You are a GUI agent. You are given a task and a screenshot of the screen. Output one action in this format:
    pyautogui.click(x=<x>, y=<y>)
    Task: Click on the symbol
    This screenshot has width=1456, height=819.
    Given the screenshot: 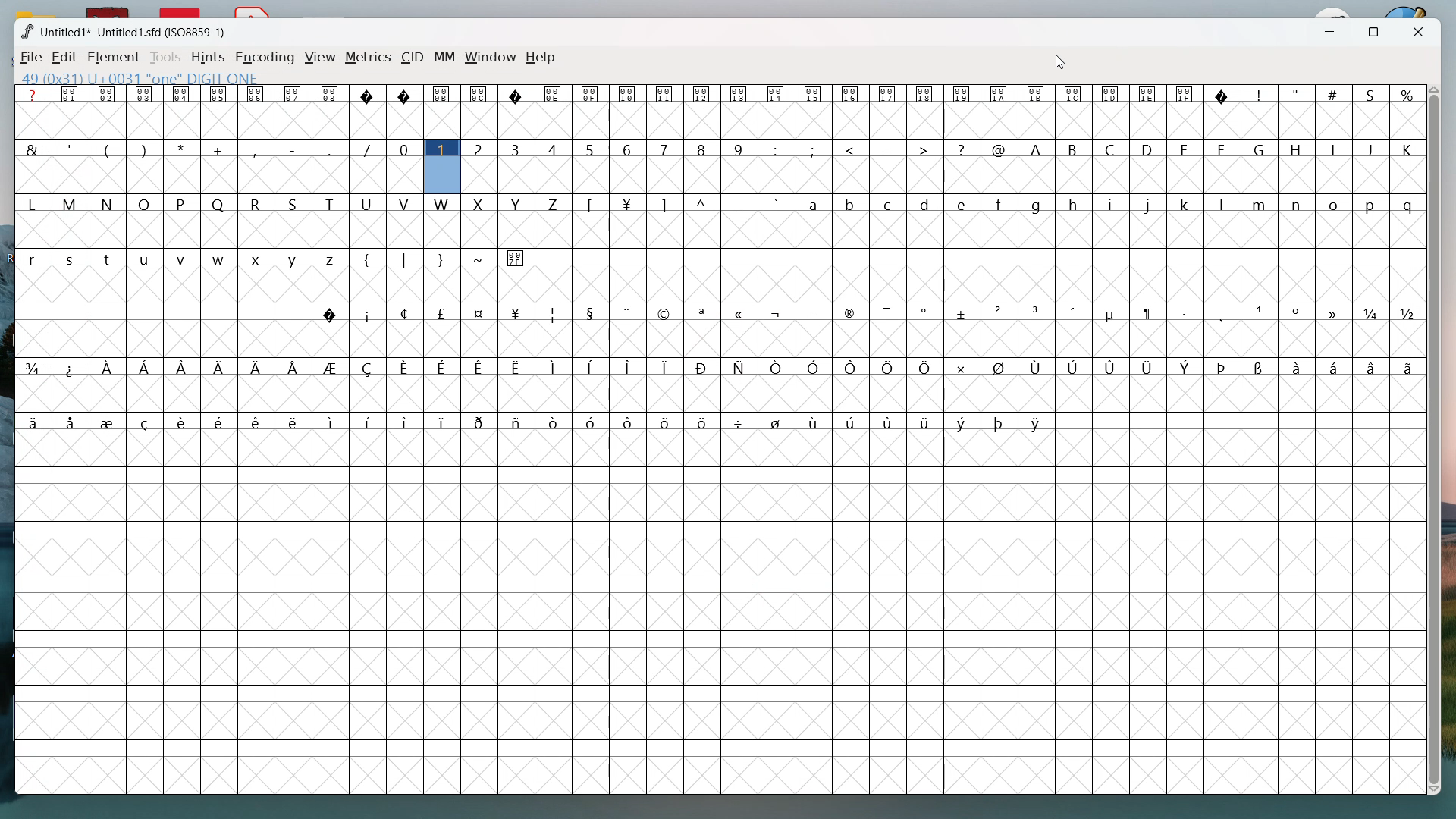 What is the action you would take?
    pyautogui.click(x=667, y=366)
    